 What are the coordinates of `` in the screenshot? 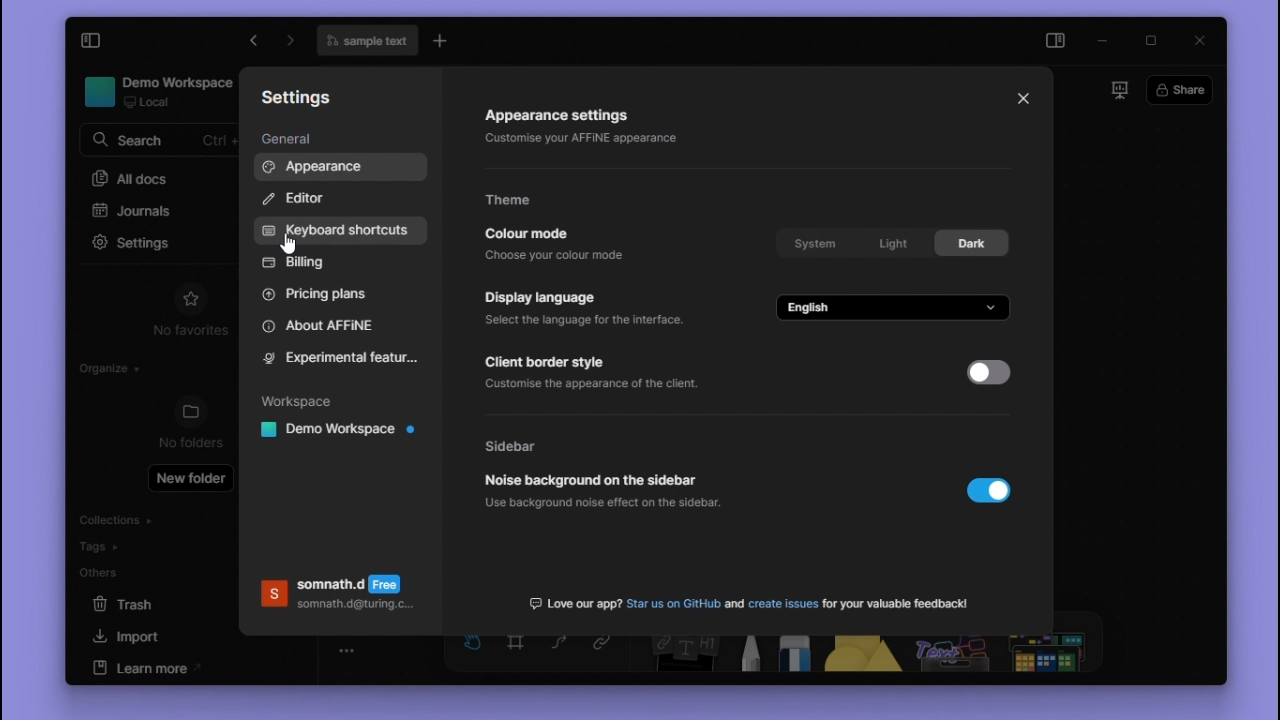 It's located at (147, 605).